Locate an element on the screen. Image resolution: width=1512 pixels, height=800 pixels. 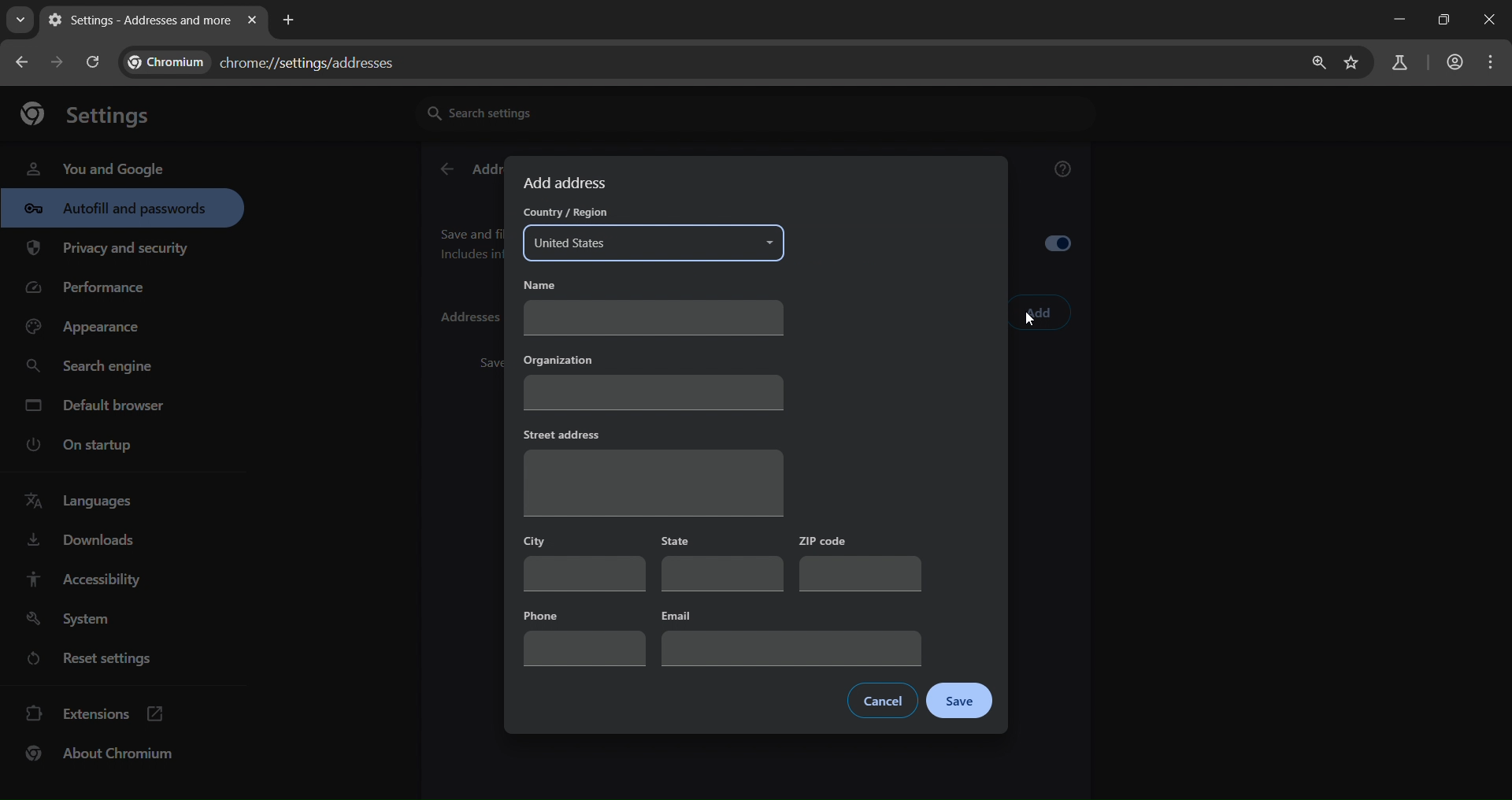
cursor is located at coordinates (1030, 323).